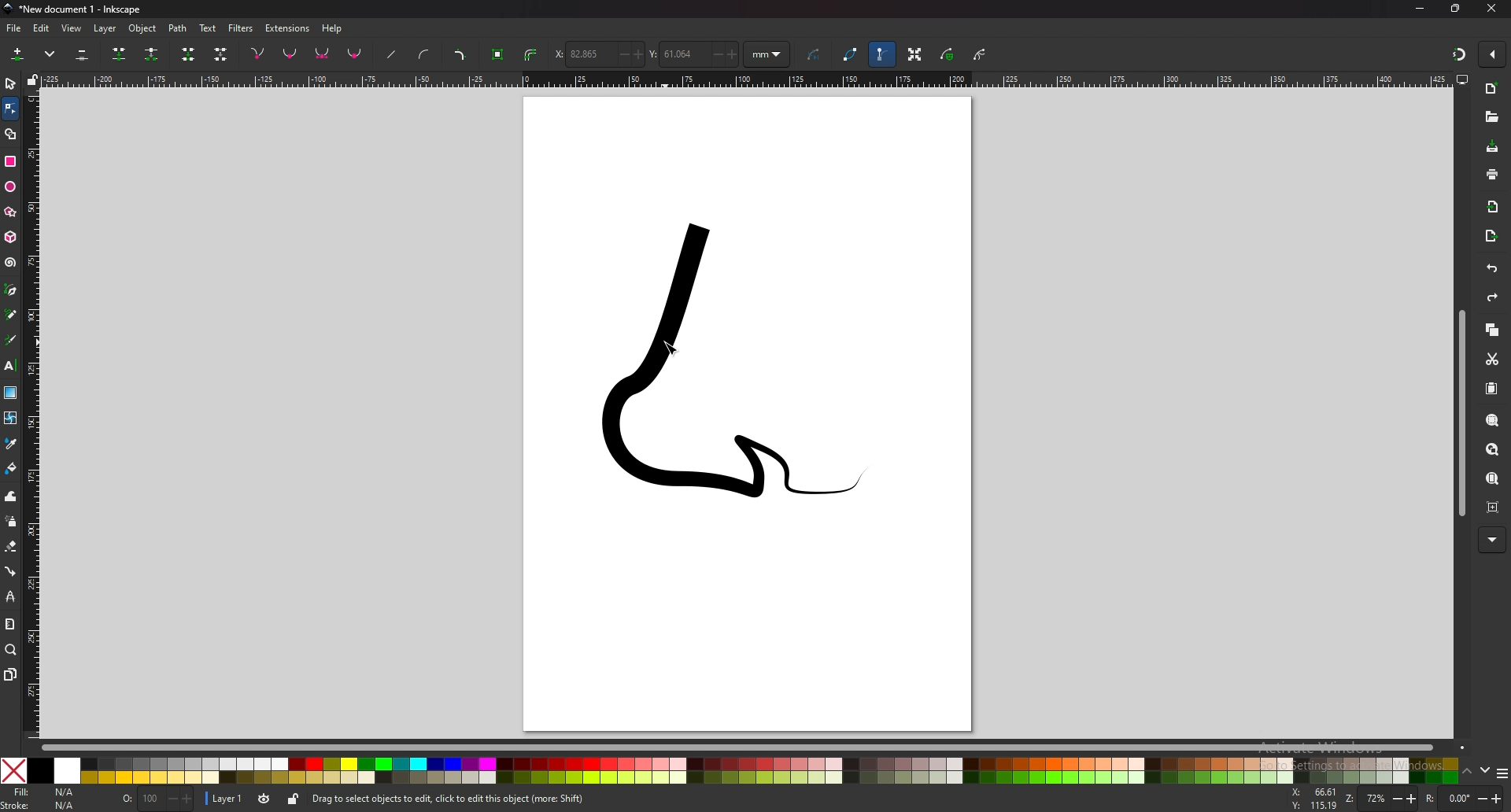  I want to click on calligraphy, so click(11, 341).